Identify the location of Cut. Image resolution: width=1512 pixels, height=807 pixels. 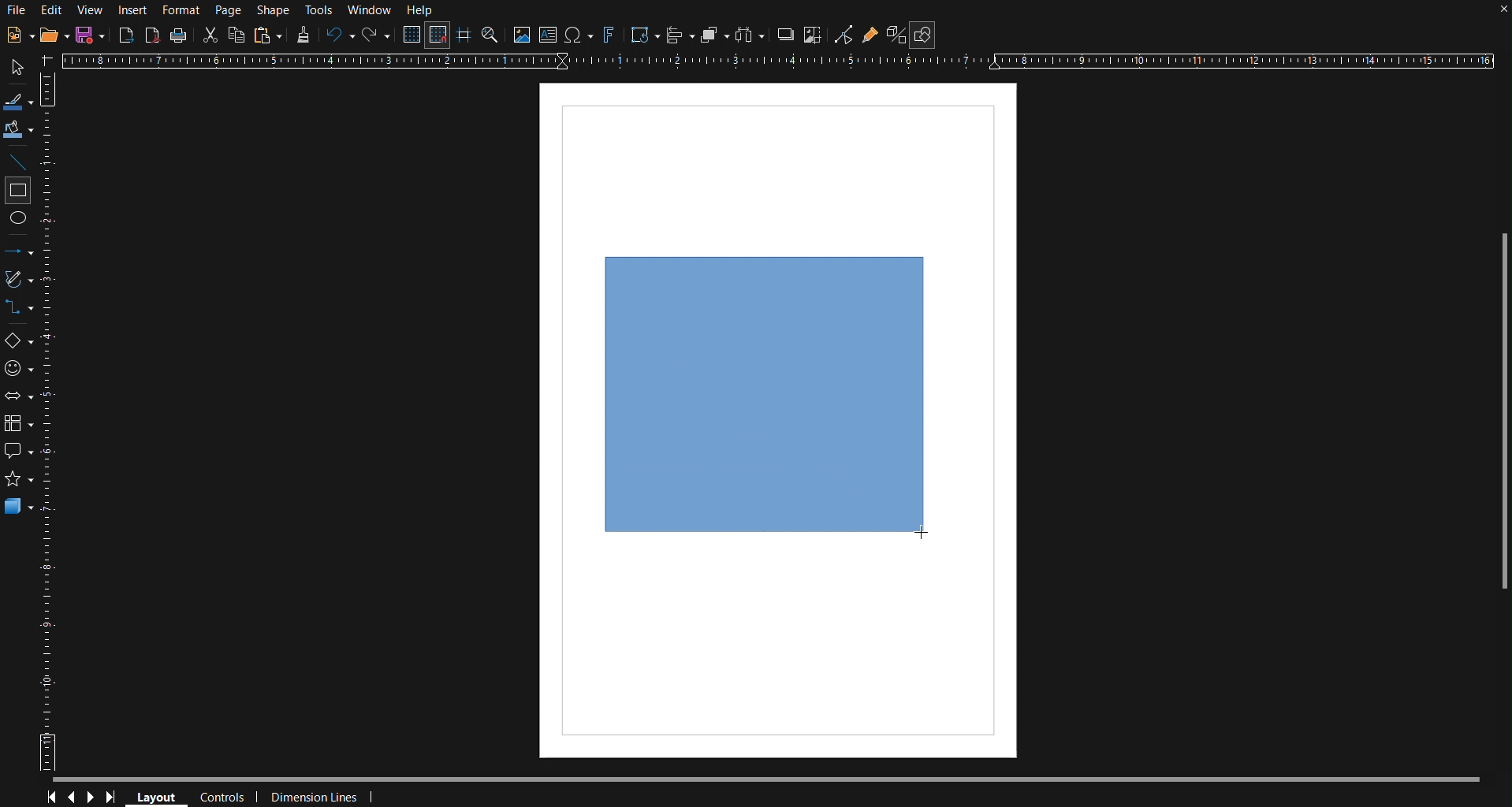
(208, 35).